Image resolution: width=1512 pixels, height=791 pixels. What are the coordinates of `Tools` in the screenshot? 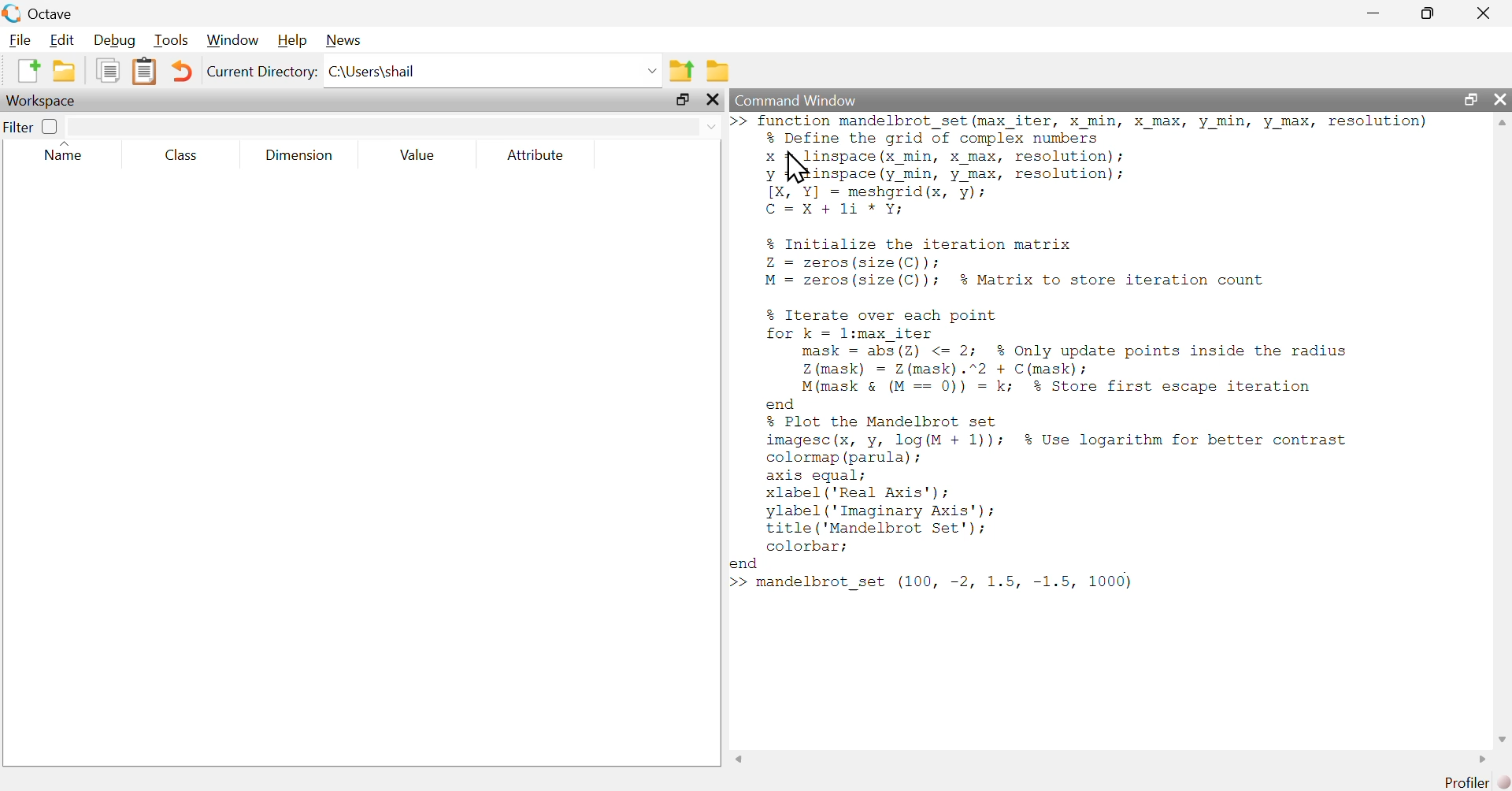 It's located at (169, 41).